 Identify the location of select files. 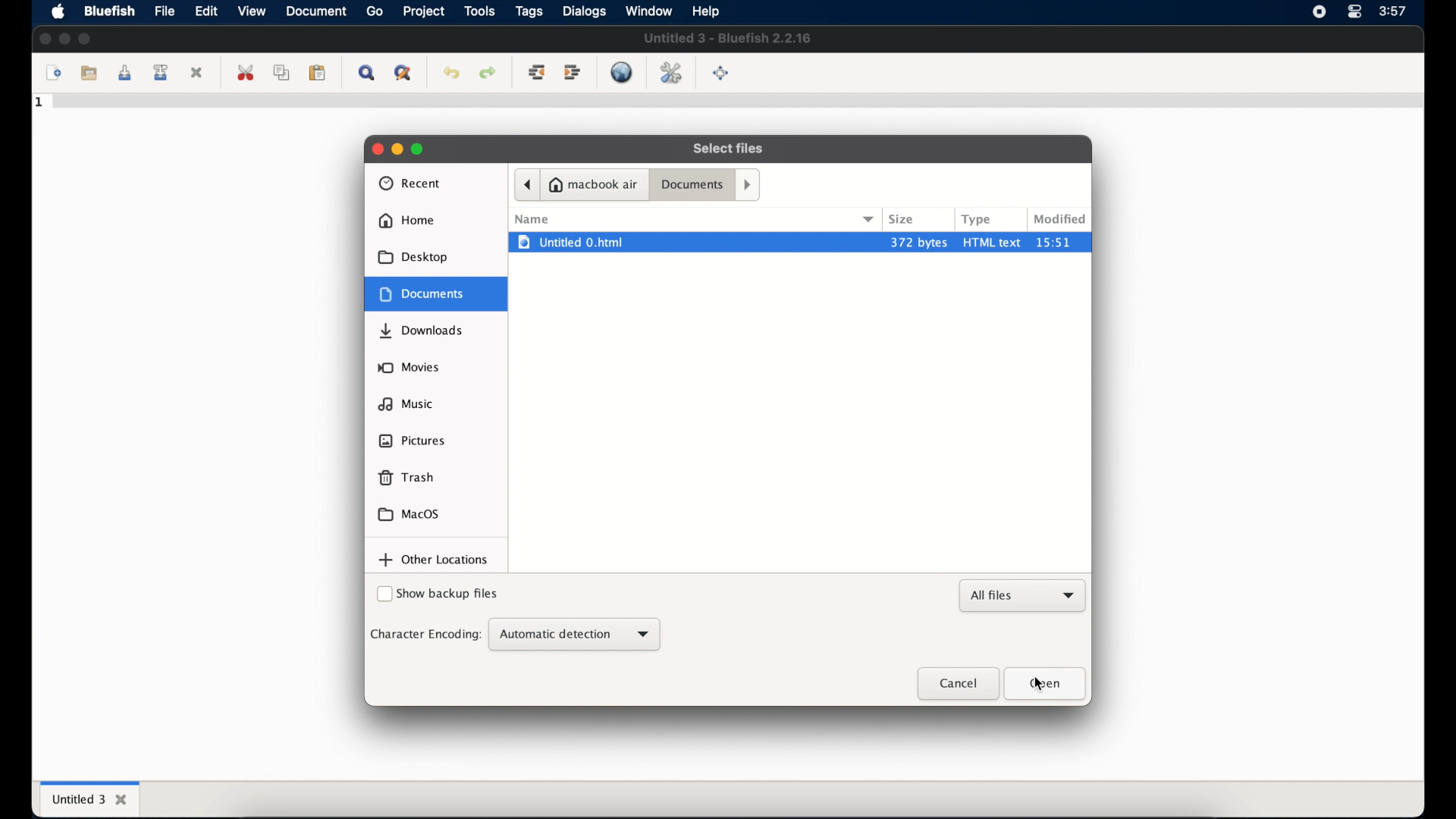
(730, 149).